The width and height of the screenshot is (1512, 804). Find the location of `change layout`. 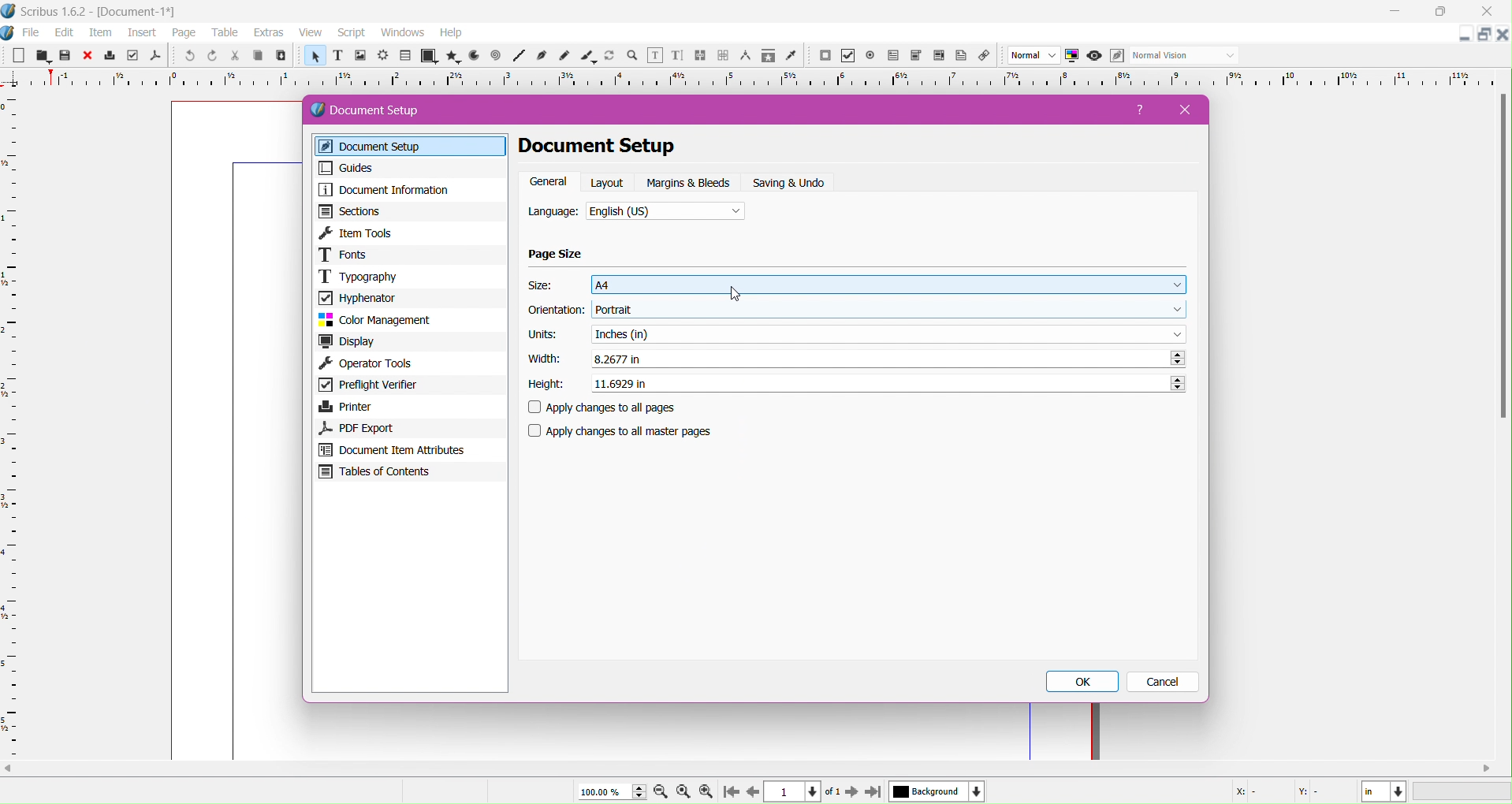

change layout is located at coordinates (1482, 35).